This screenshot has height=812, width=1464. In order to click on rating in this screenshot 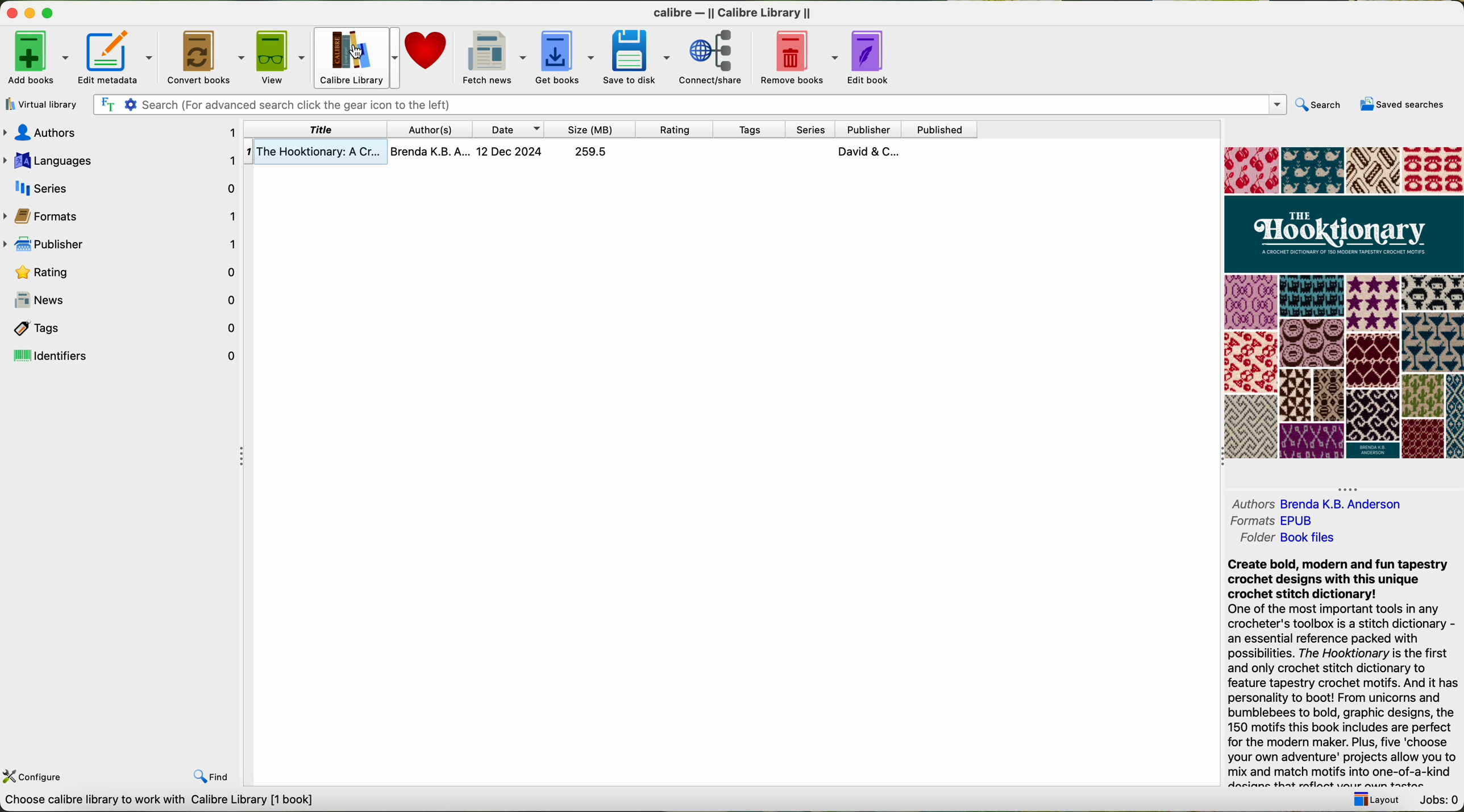, I will do `click(681, 128)`.